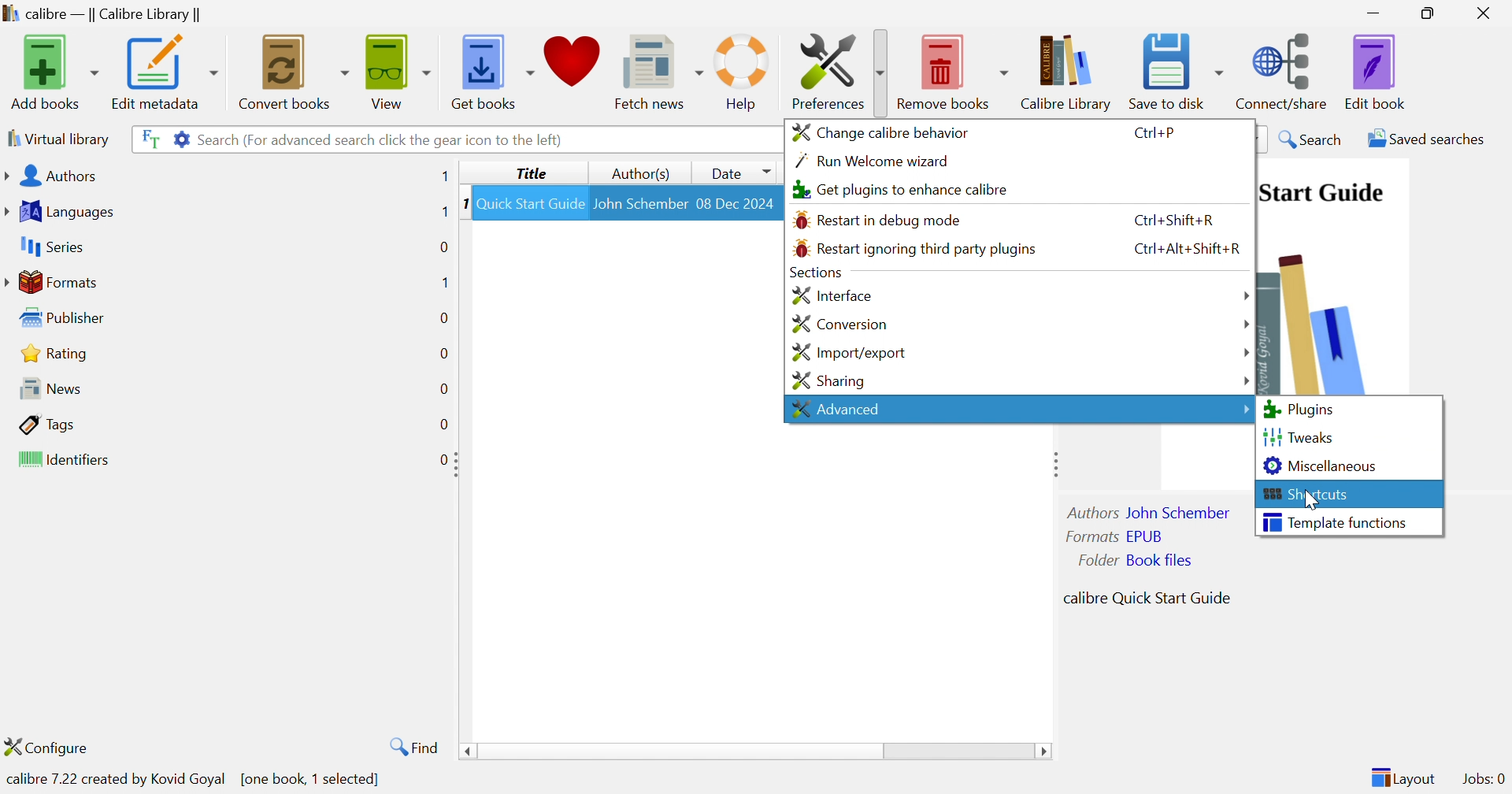  I want to click on 1, so click(463, 202).